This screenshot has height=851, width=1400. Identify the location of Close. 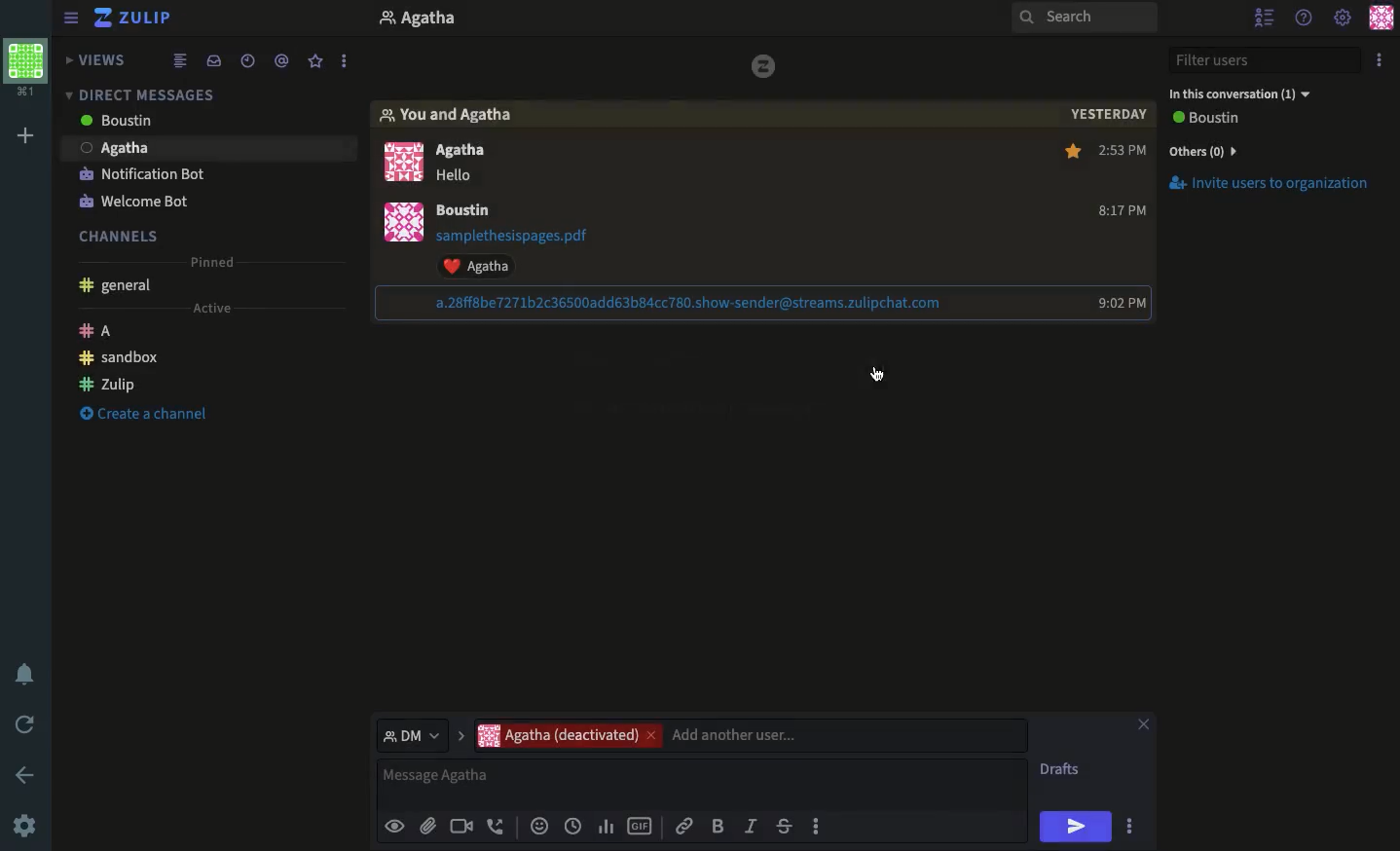
(1143, 726).